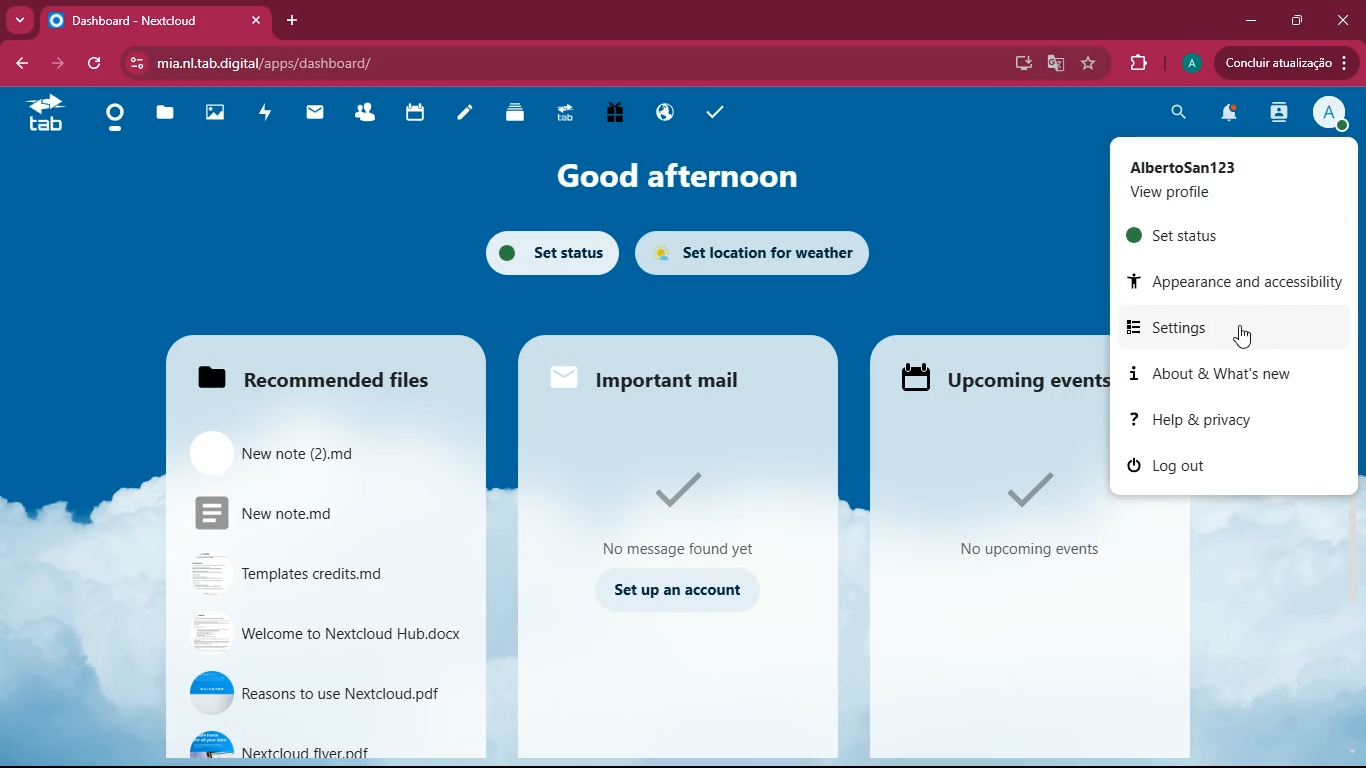  What do you see at coordinates (366, 112) in the screenshot?
I see `friends` at bounding box center [366, 112].